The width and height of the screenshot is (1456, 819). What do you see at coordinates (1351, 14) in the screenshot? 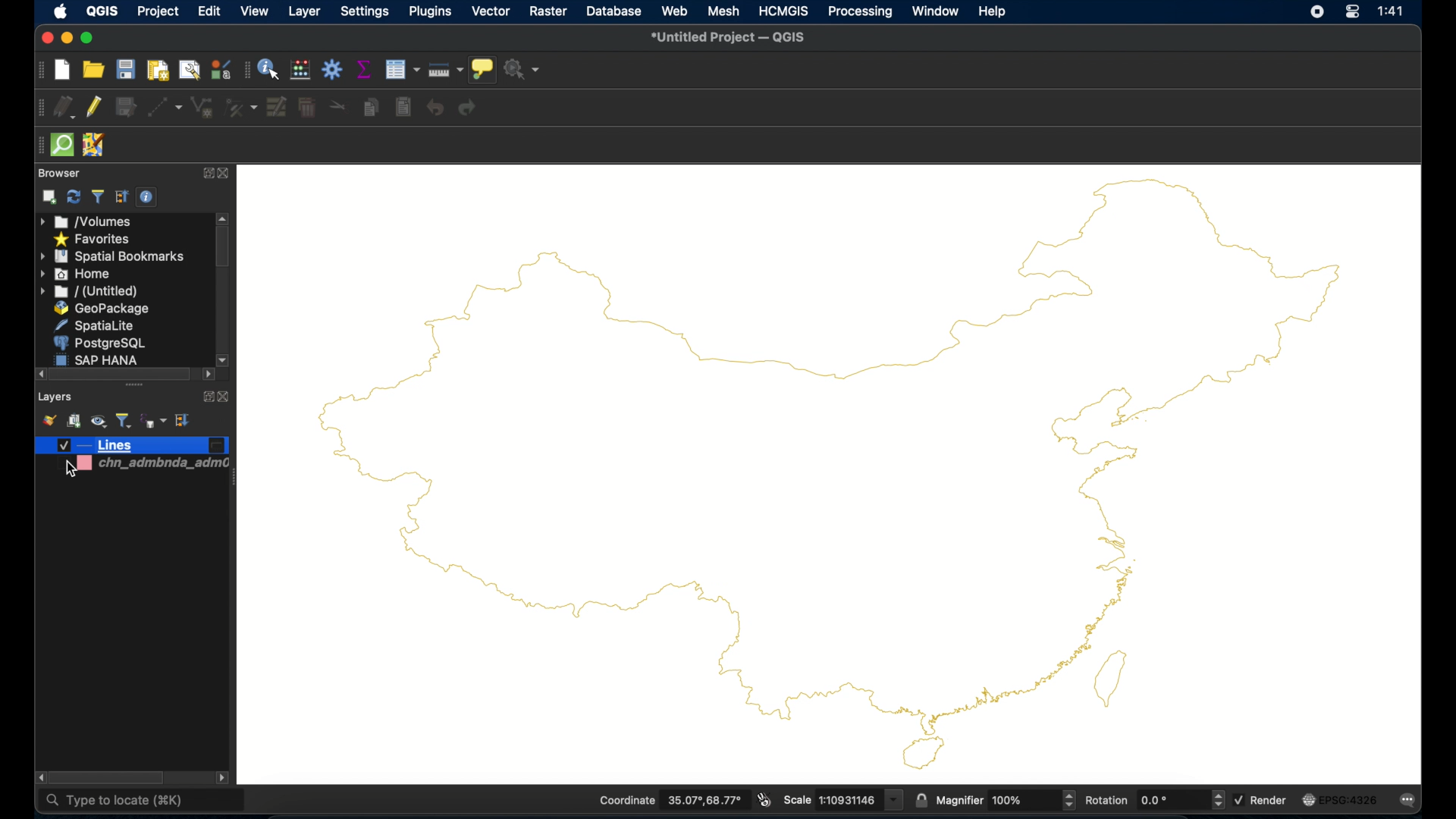
I see `control center` at bounding box center [1351, 14].